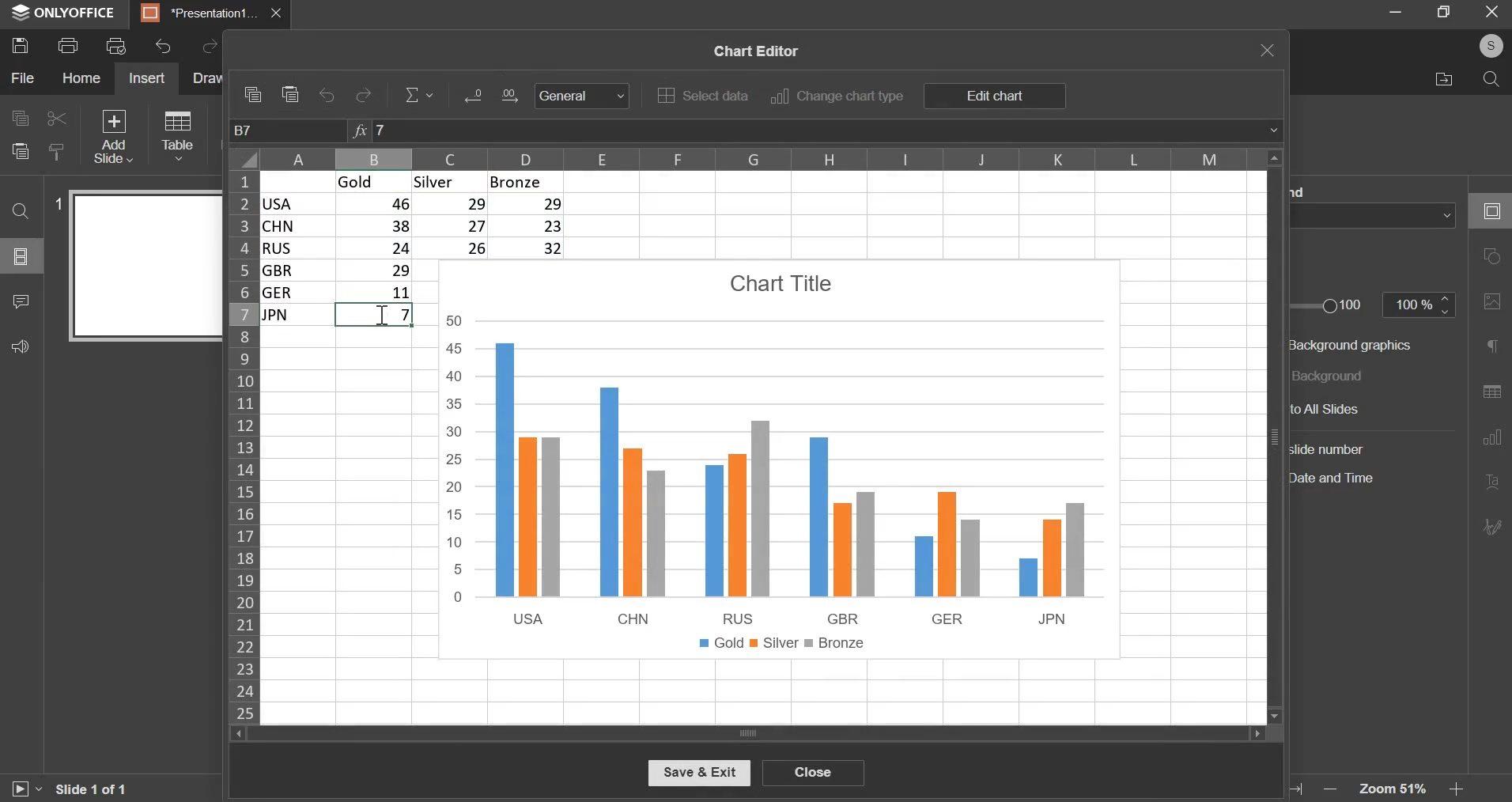 This screenshot has height=802, width=1512. I want to click on file, so click(22, 78).